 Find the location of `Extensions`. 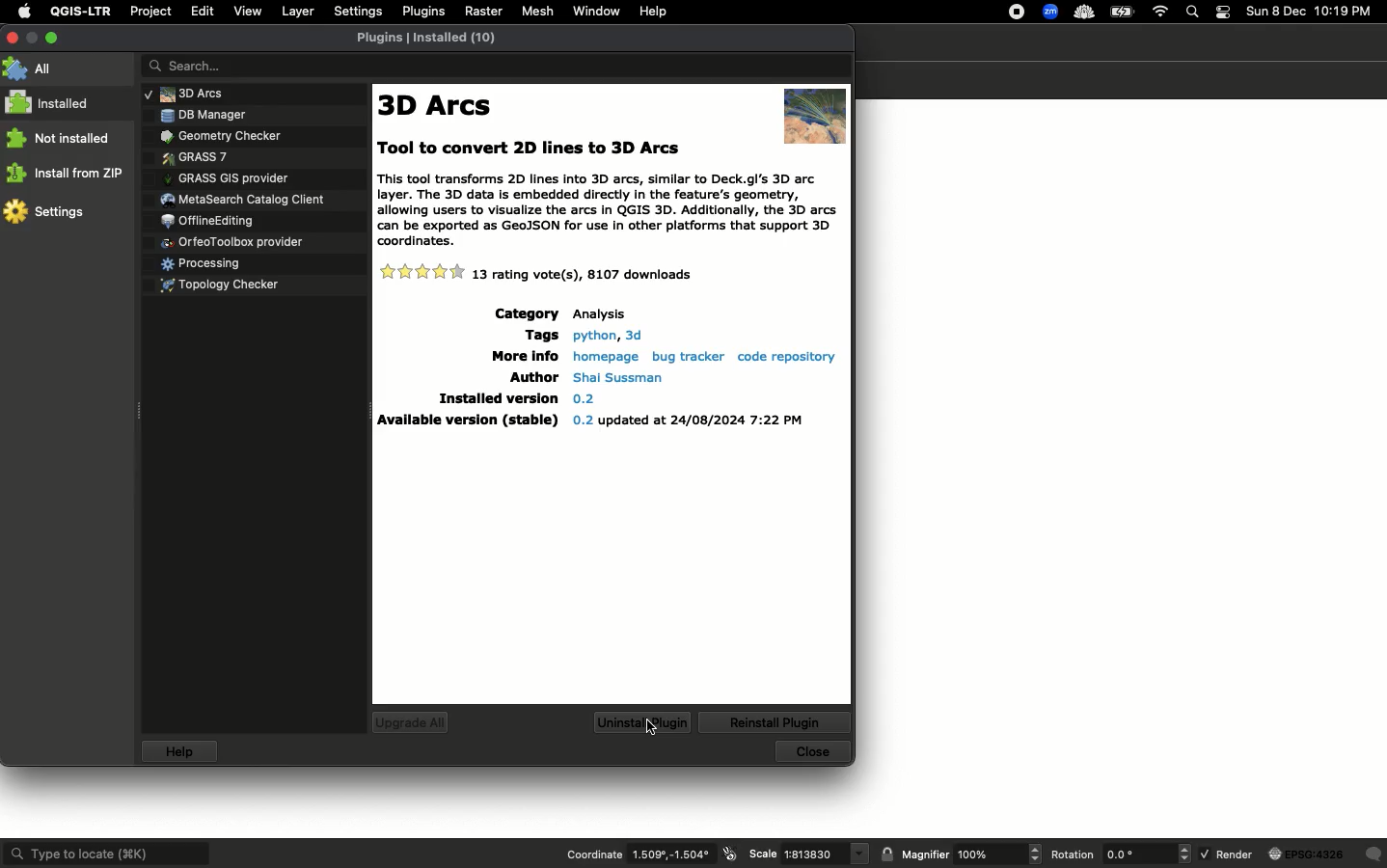

Extensions is located at coordinates (1069, 12).